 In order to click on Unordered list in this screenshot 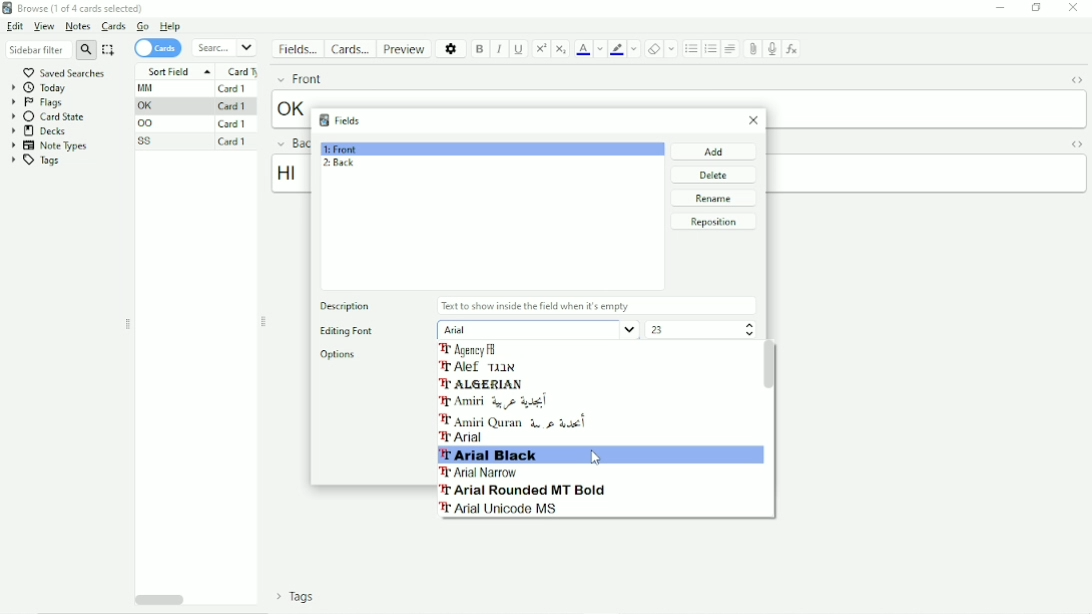, I will do `click(691, 49)`.